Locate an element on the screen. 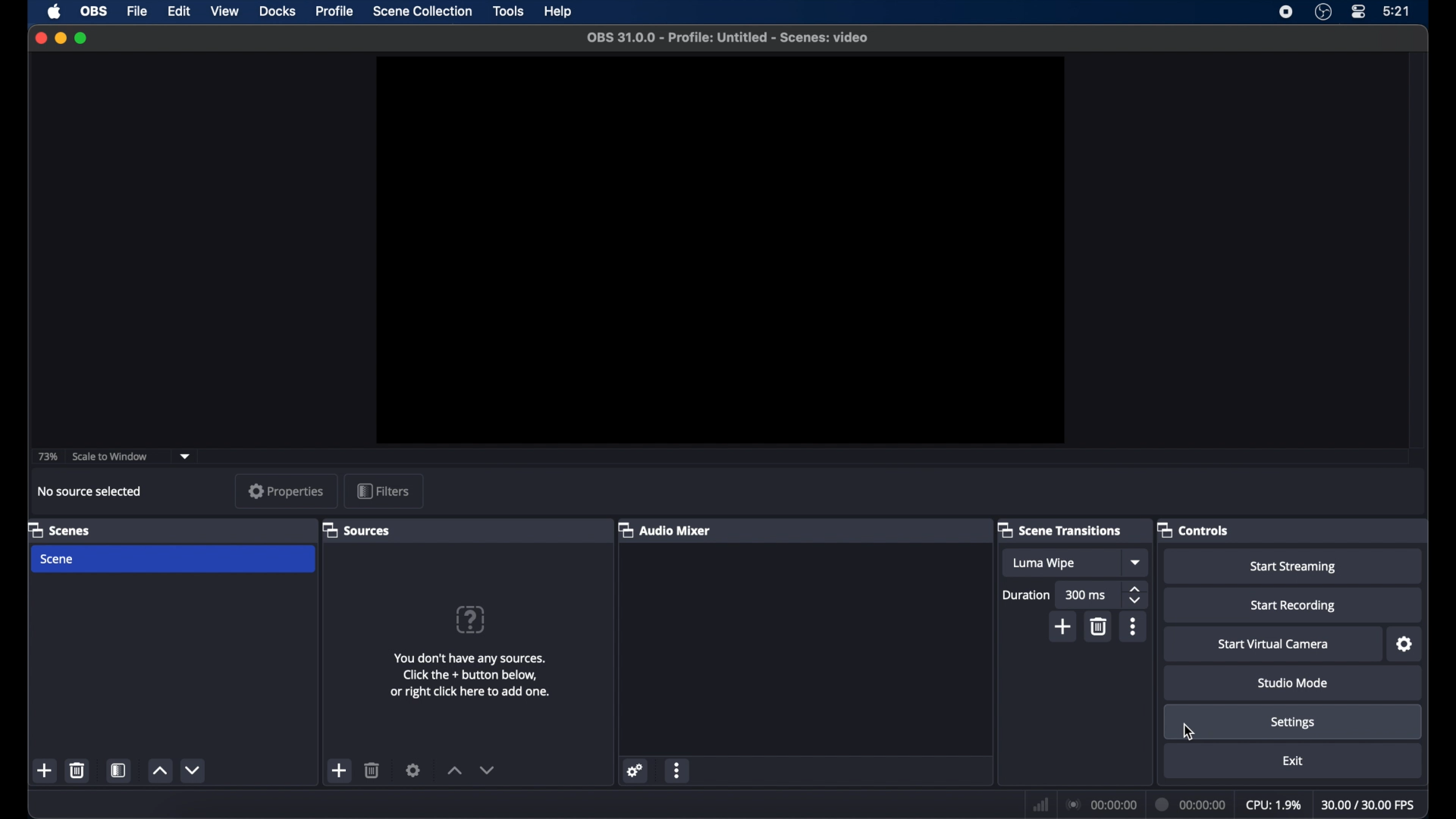  more options is located at coordinates (678, 772).